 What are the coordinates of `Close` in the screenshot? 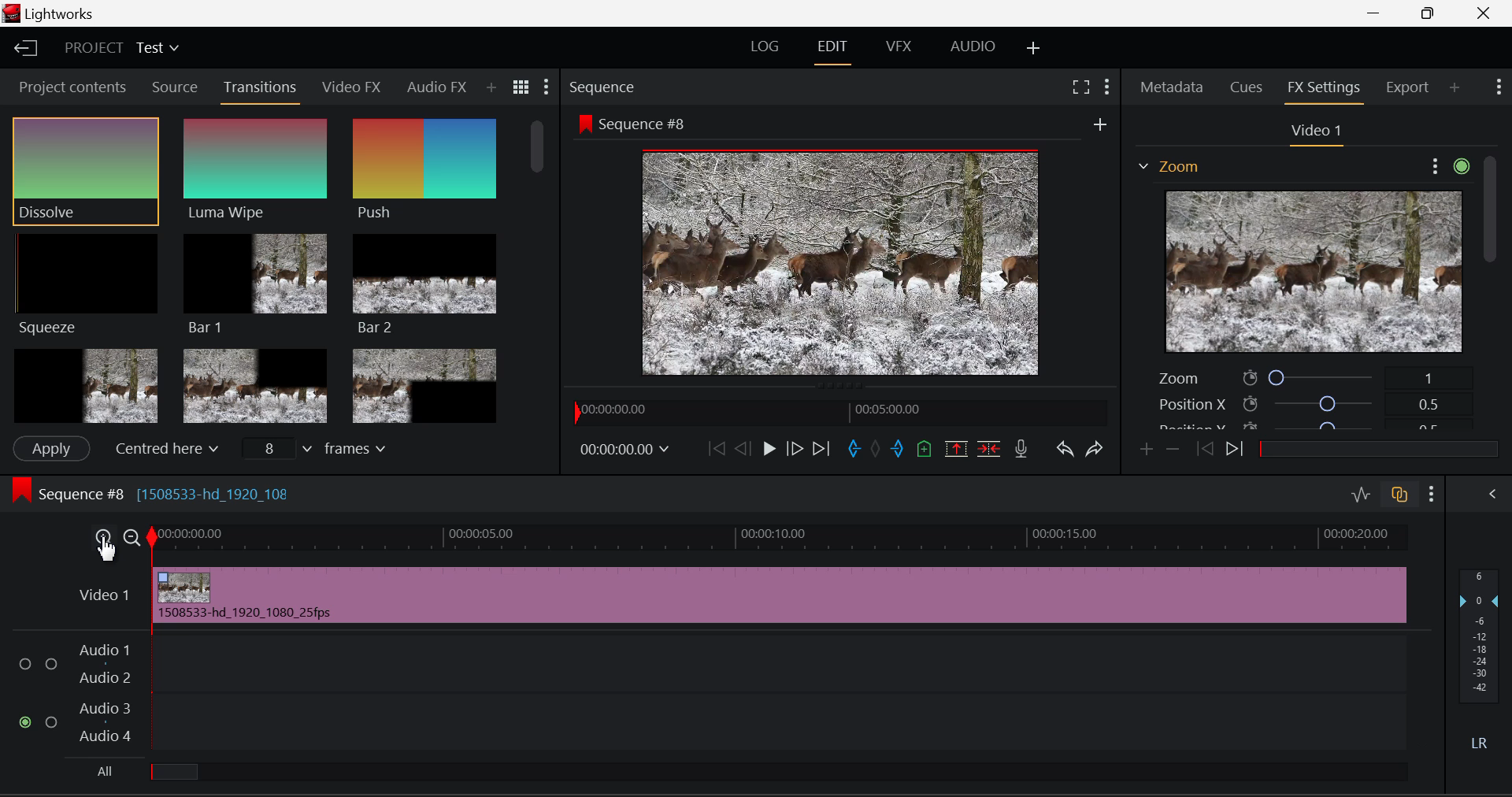 It's located at (1484, 13).